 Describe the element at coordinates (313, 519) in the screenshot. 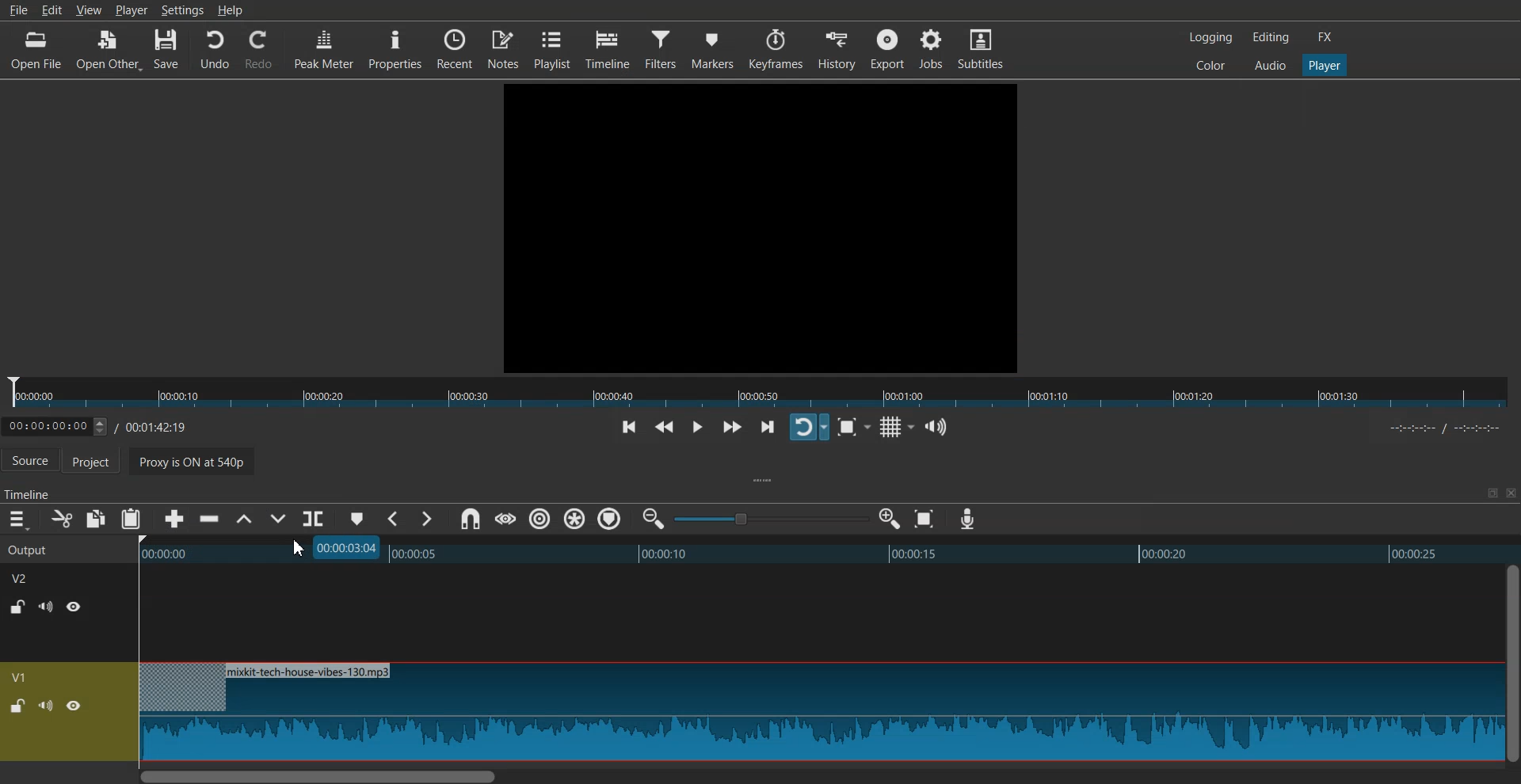

I see `Split at playhead` at that location.